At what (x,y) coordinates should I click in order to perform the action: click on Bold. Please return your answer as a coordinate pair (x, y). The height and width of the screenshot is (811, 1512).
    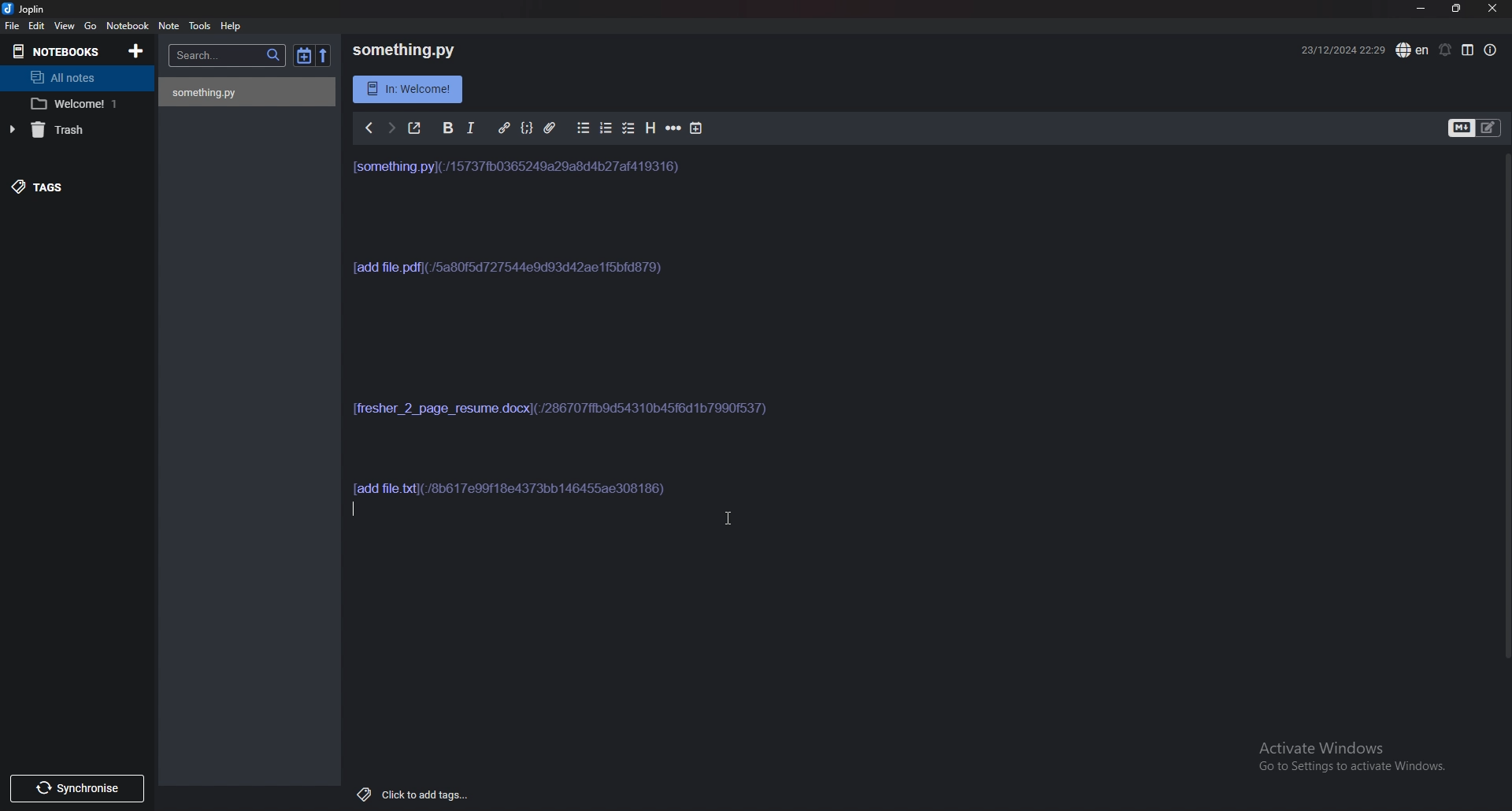
    Looking at the image, I should click on (447, 128).